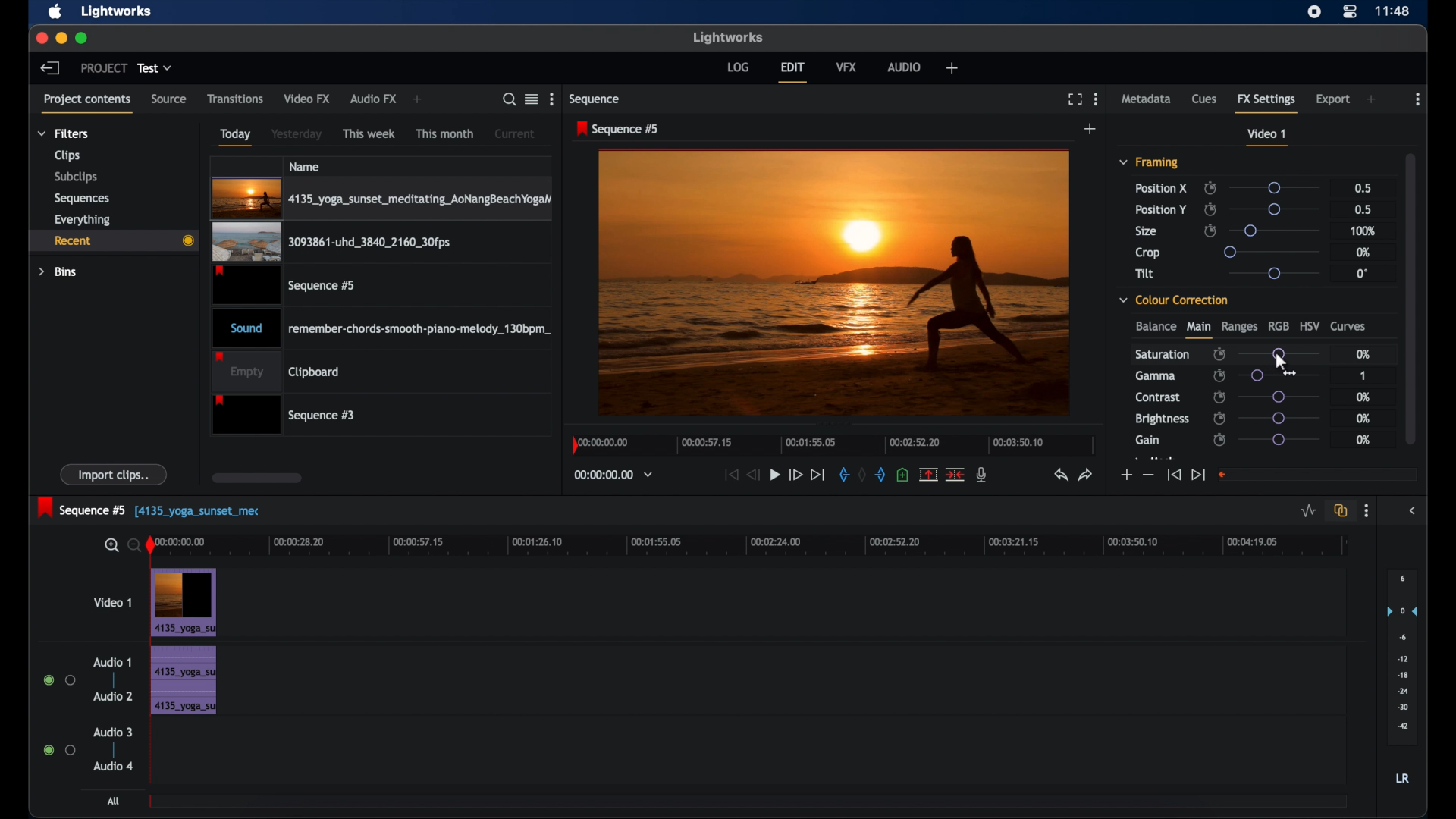 The width and height of the screenshot is (1456, 819). I want to click on this month, so click(444, 133).